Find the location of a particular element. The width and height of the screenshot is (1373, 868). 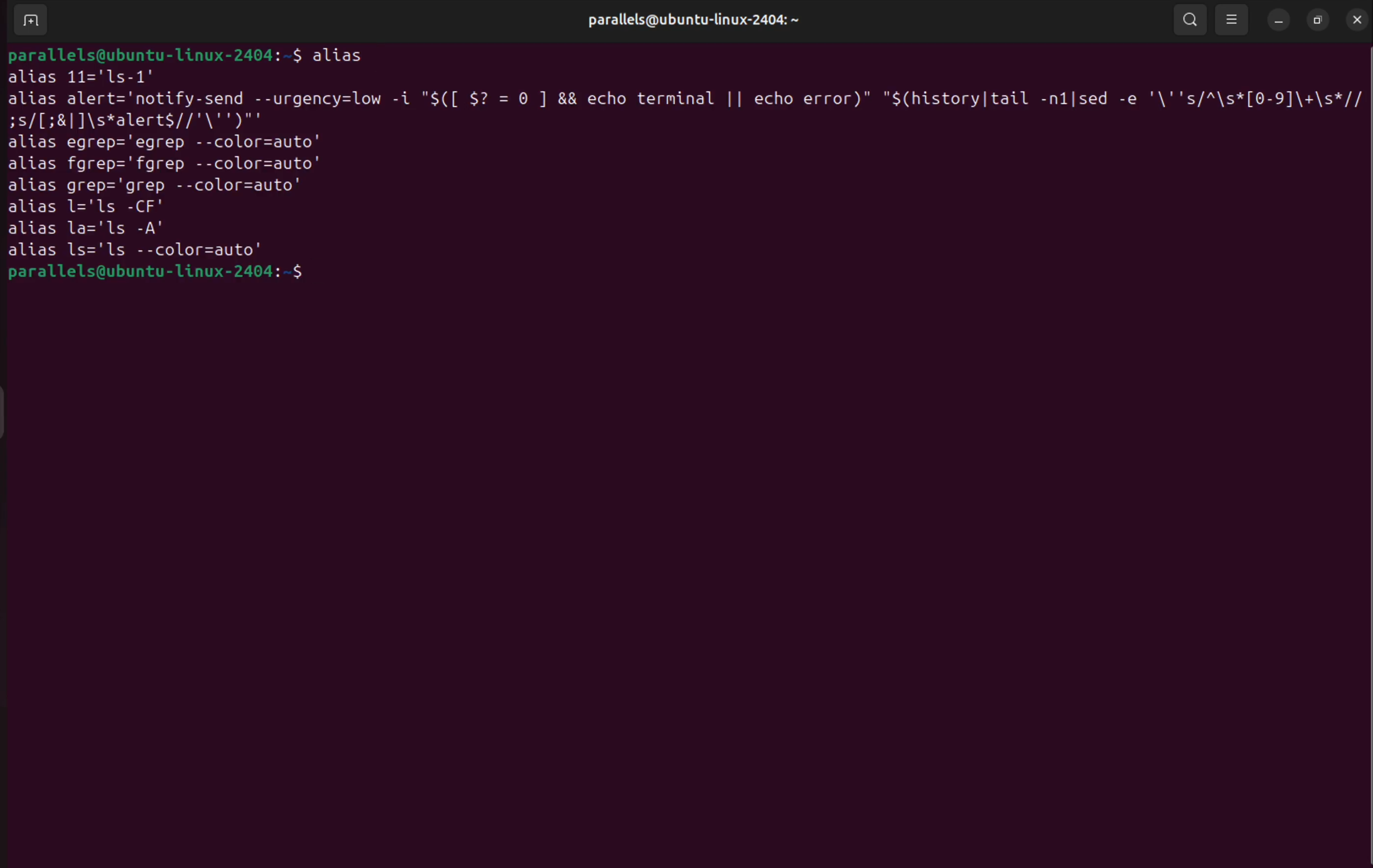

bash prompt is located at coordinates (167, 276).